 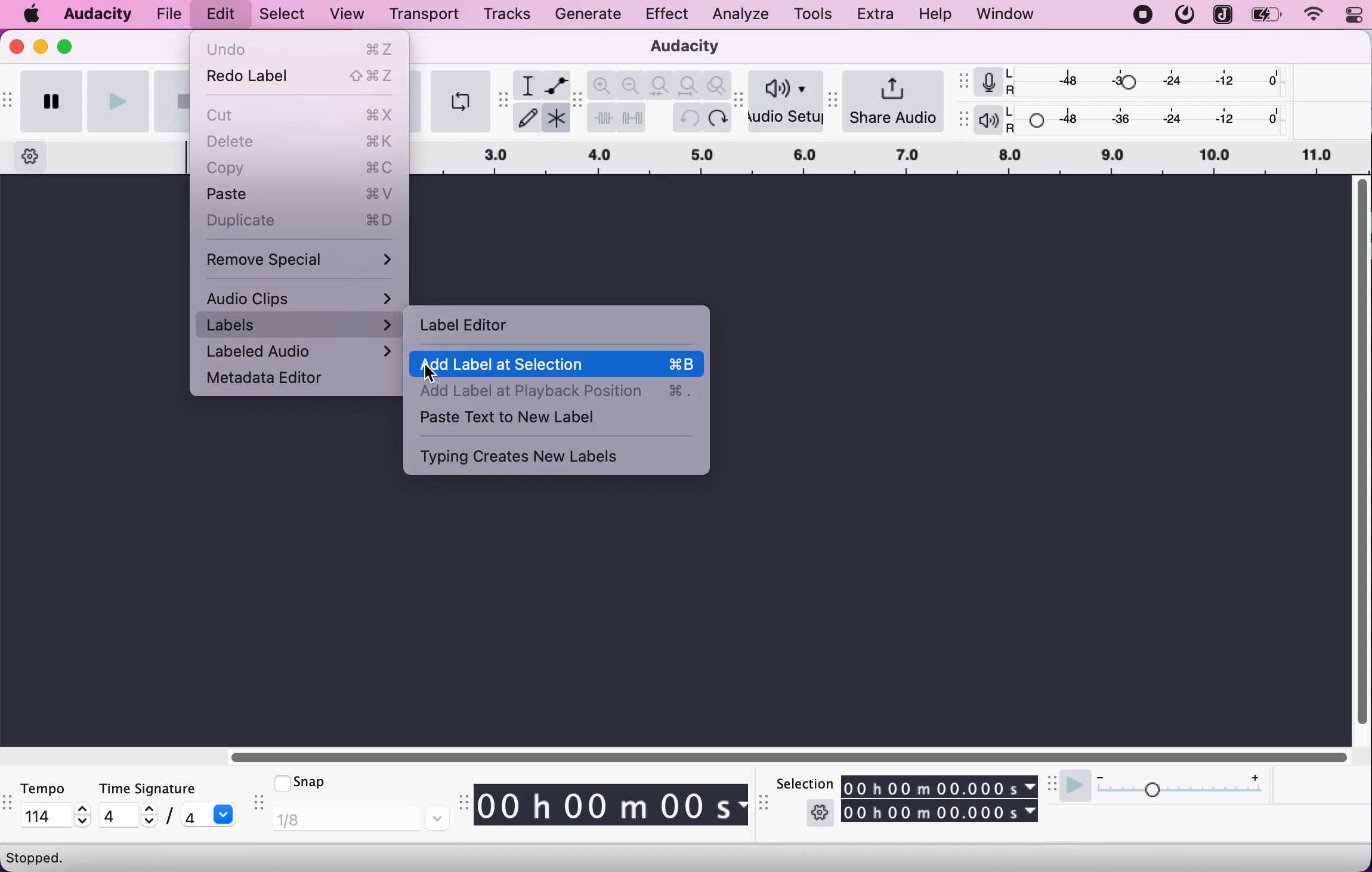 What do you see at coordinates (98, 12) in the screenshot?
I see `audacity` at bounding box center [98, 12].